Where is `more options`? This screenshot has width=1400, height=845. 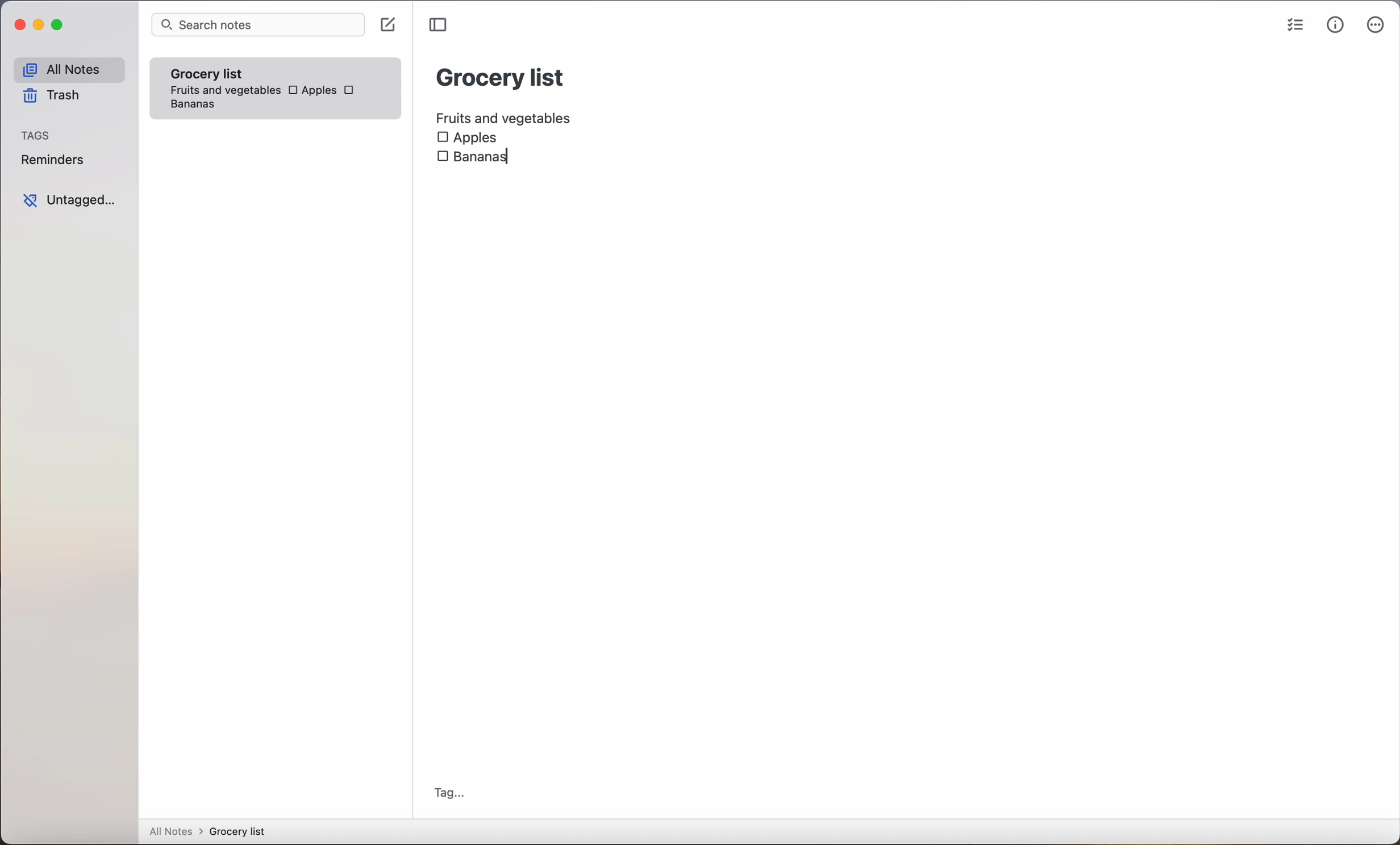 more options is located at coordinates (1376, 27).